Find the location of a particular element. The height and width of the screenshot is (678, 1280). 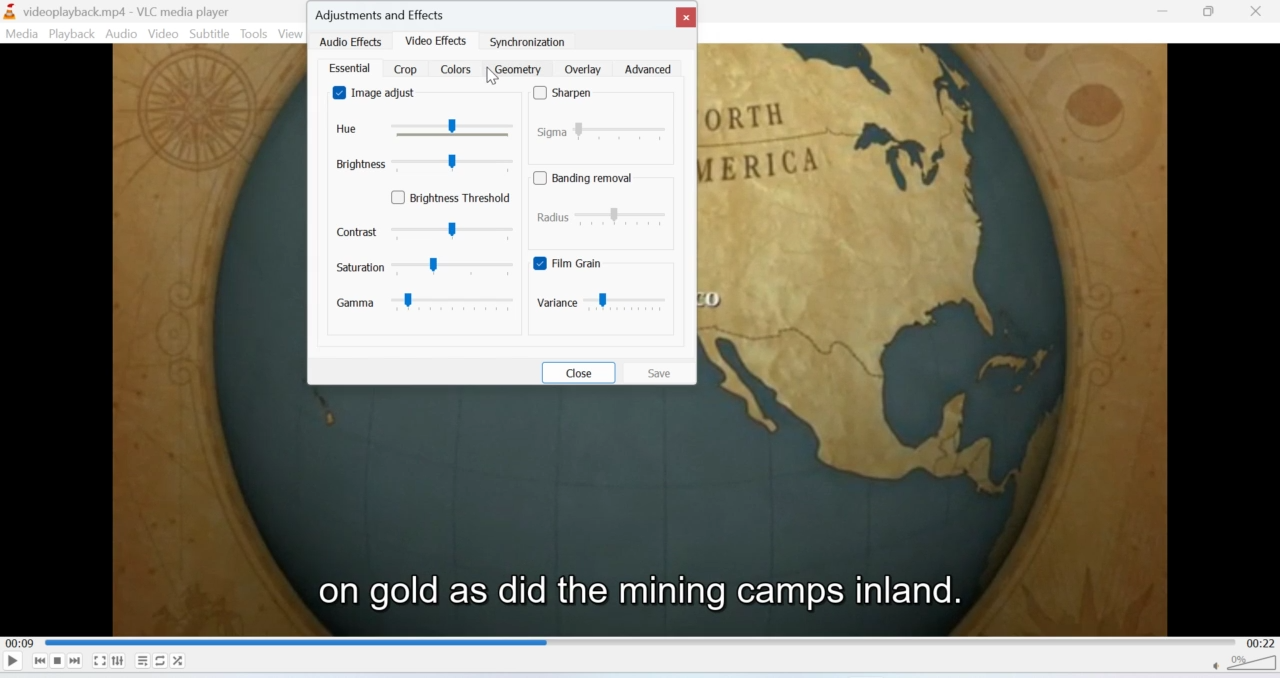

save is located at coordinates (663, 375).